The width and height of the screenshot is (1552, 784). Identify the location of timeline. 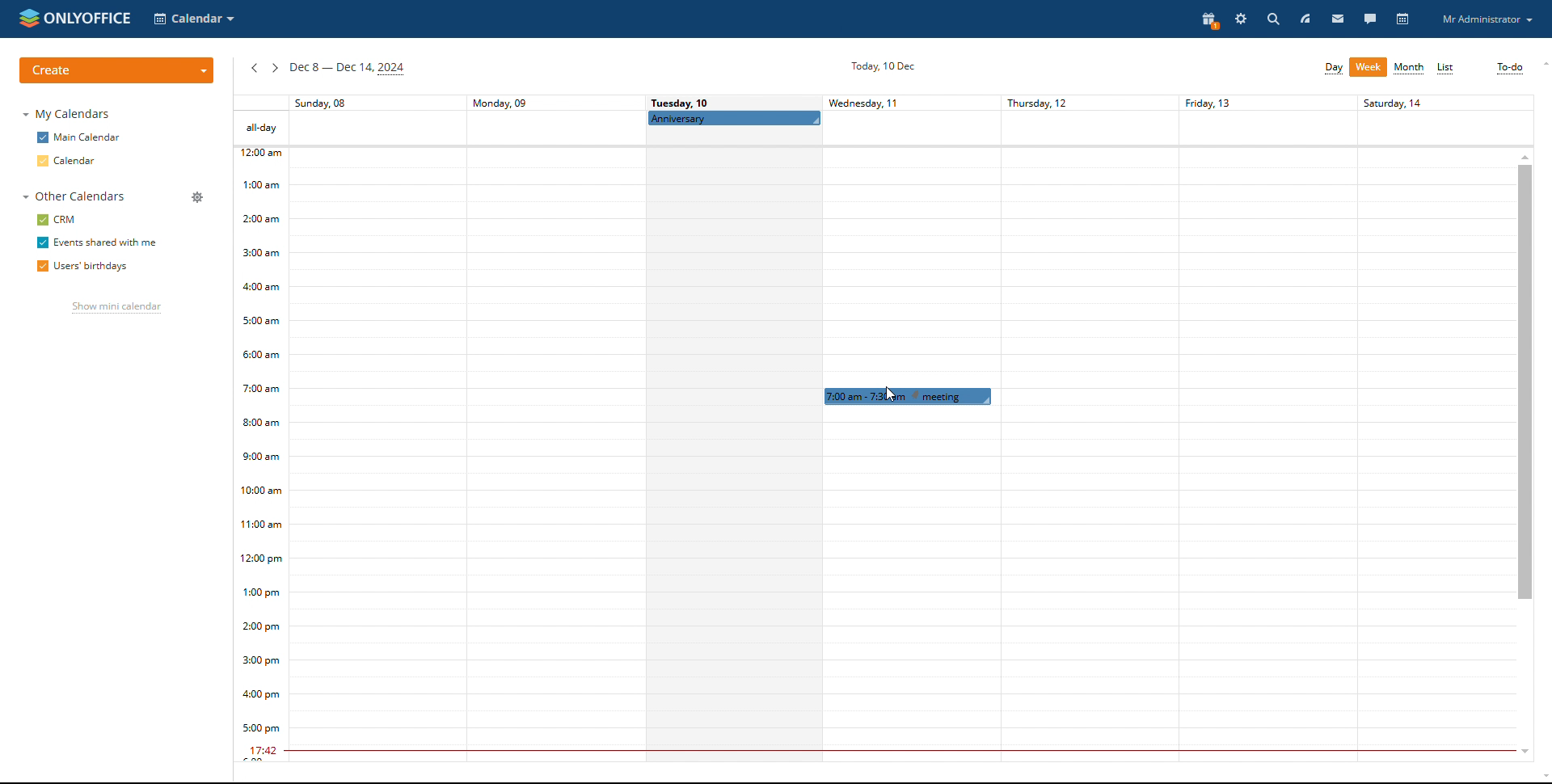
(260, 455).